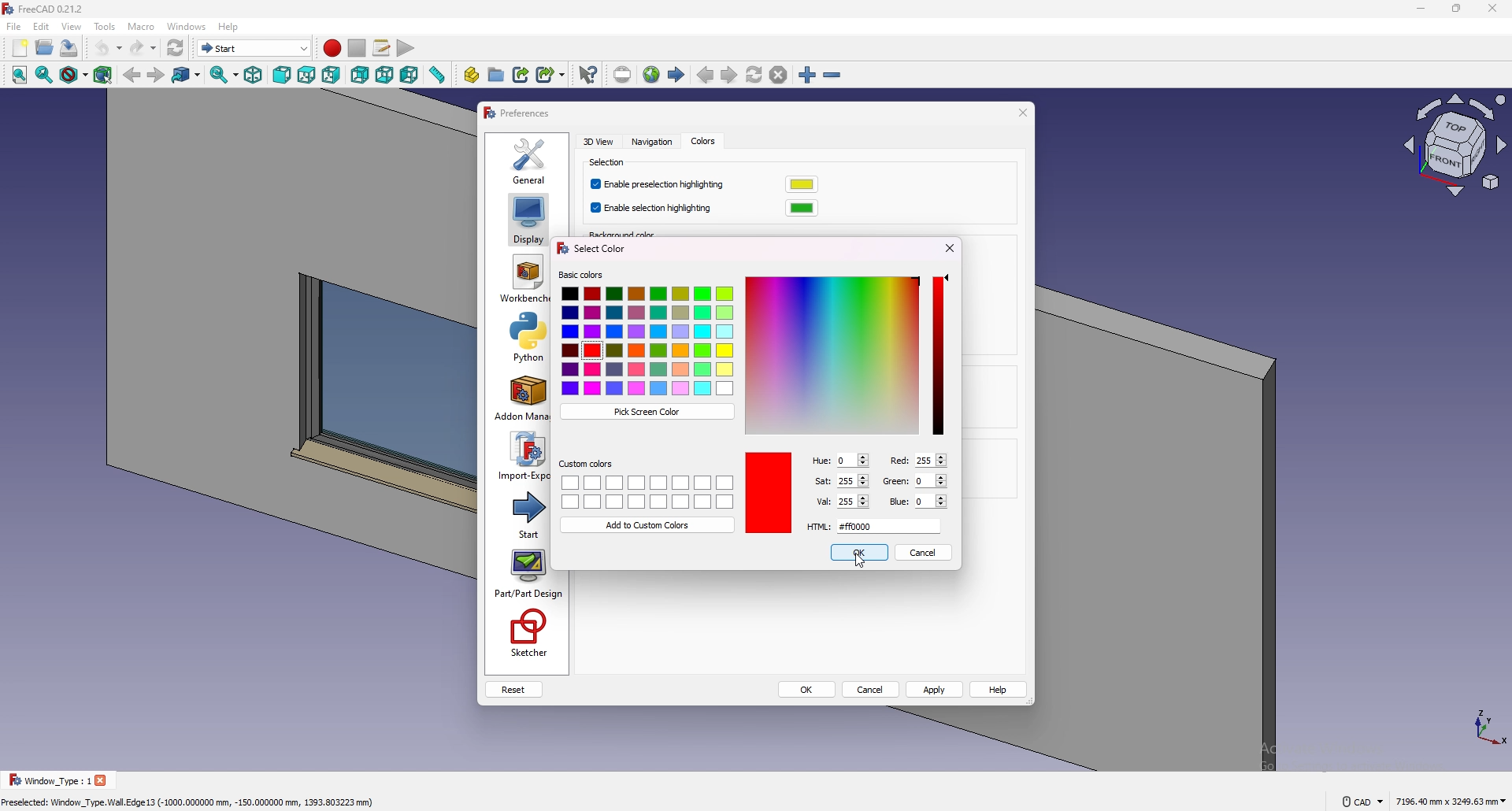  I want to click on top, so click(306, 76).